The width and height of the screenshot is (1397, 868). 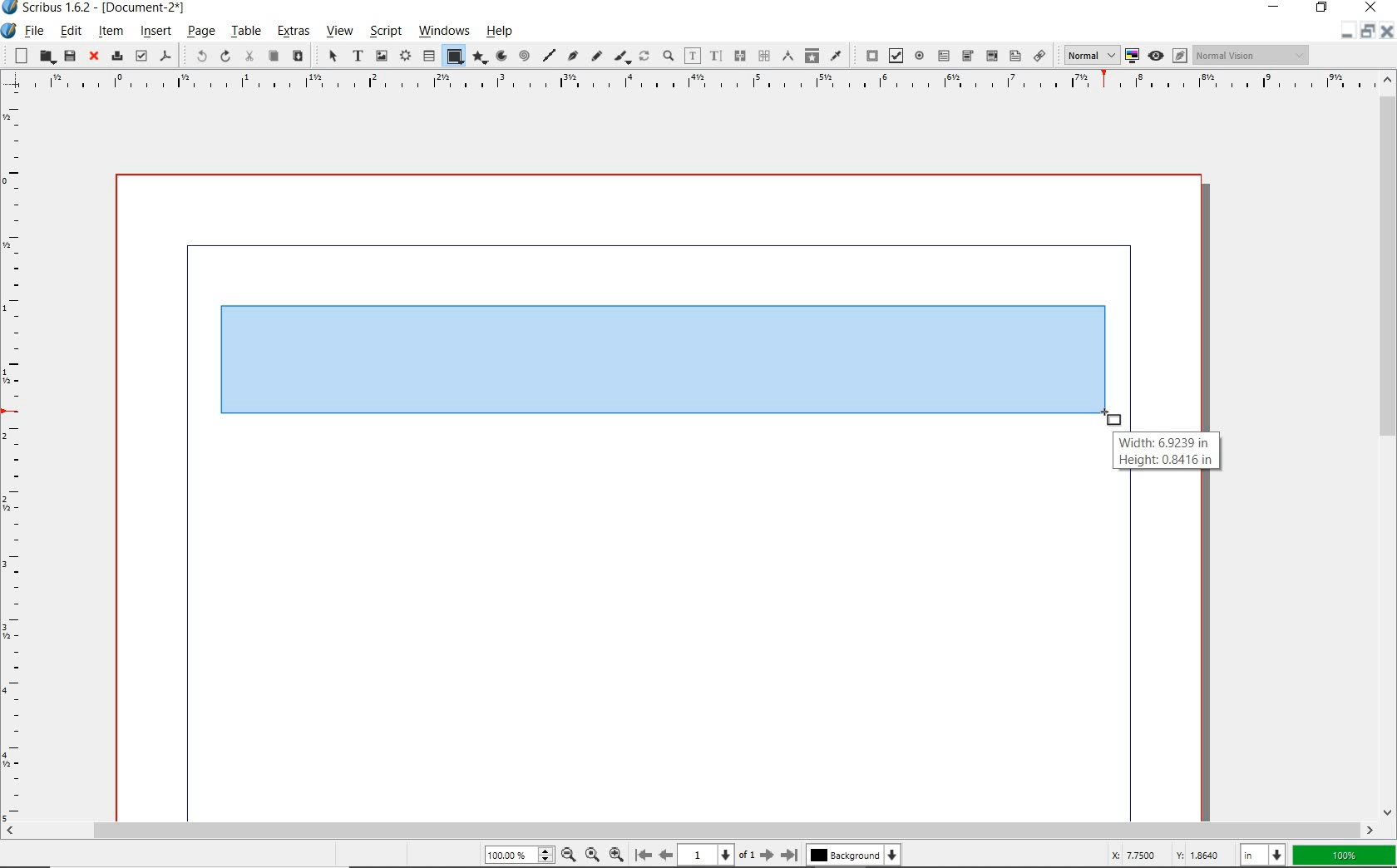 I want to click on view, so click(x=341, y=32).